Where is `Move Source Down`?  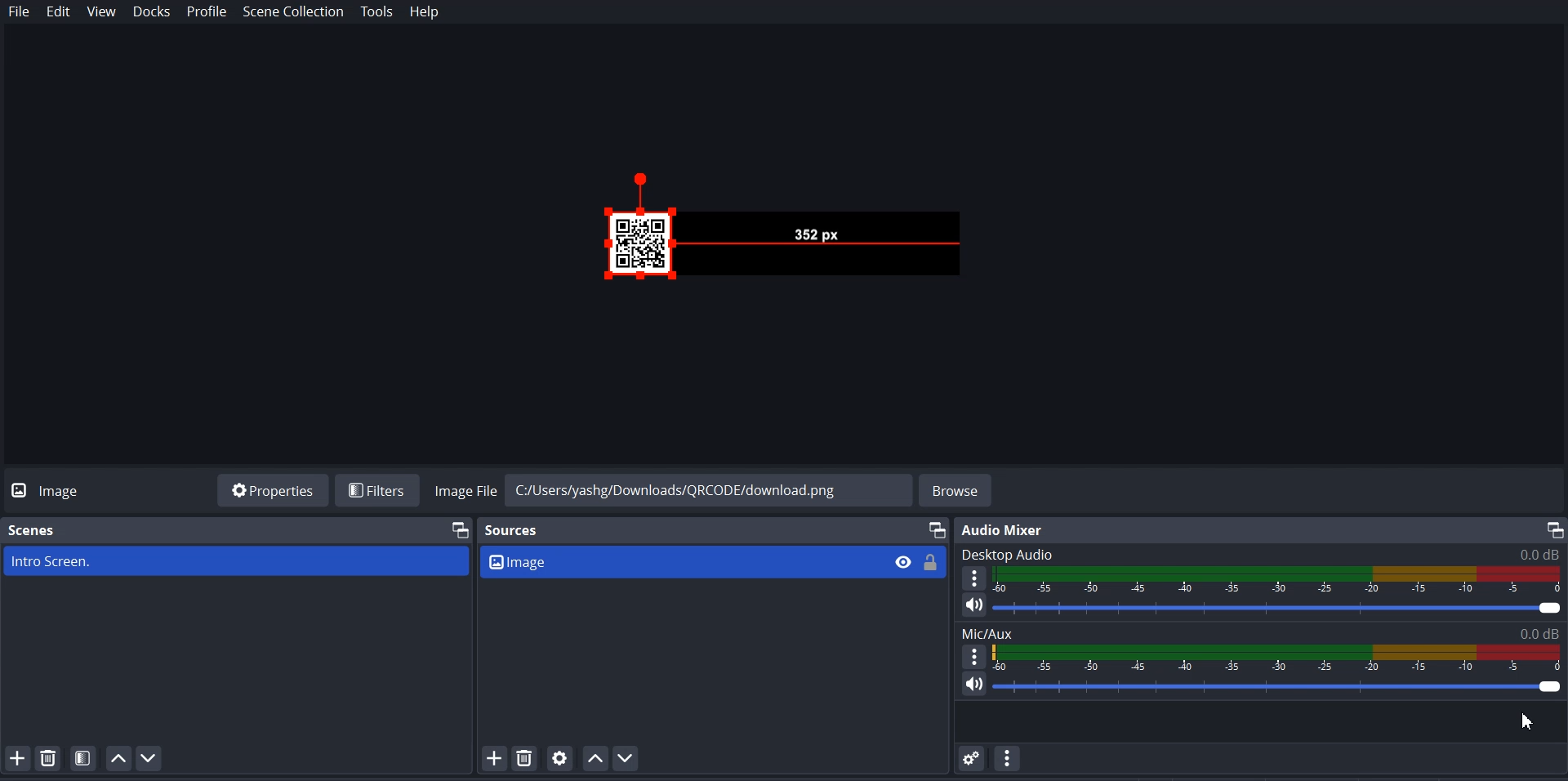 Move Source Down is located at coordinates (626, 757).